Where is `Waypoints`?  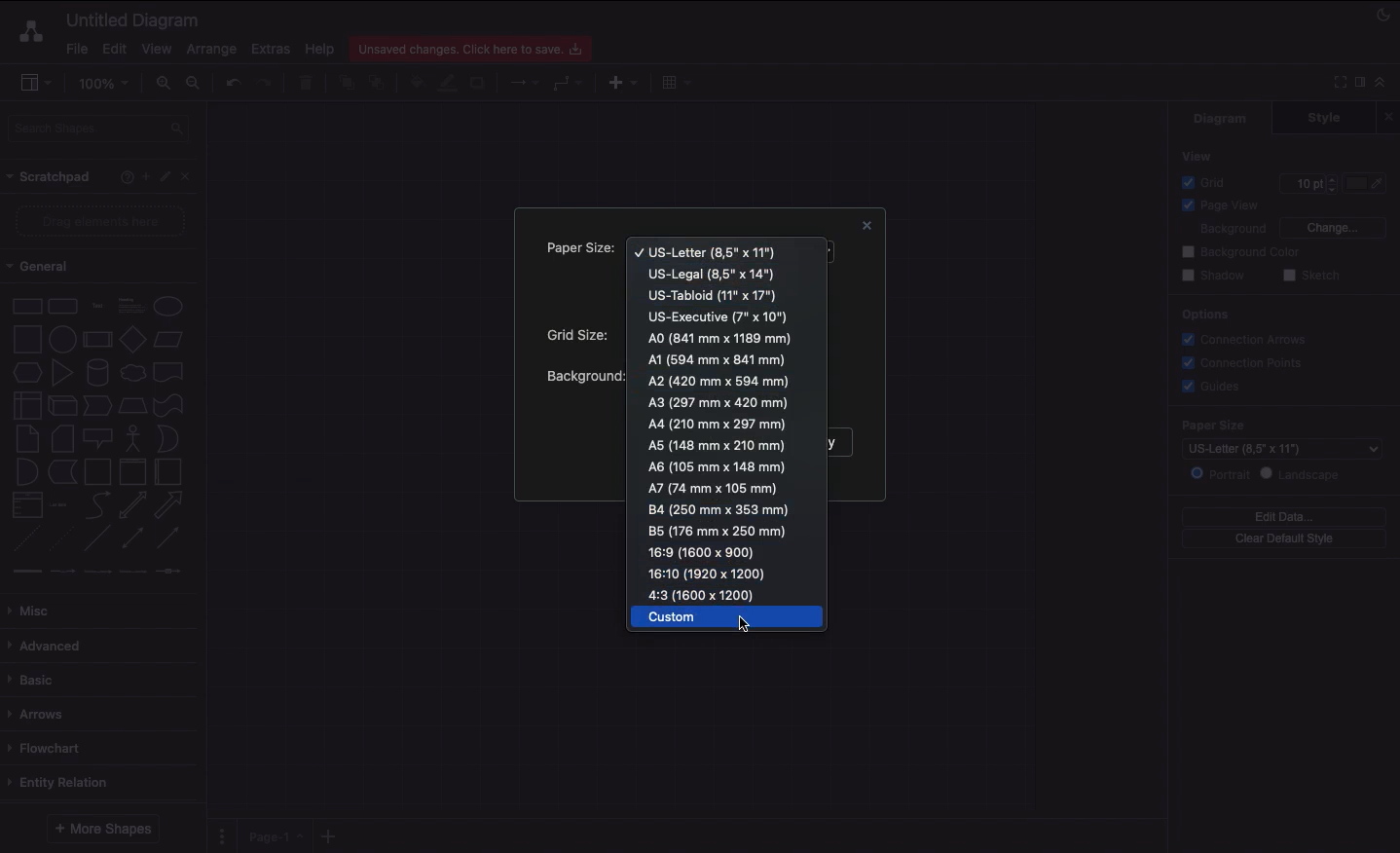
Waypoints is located at coordinates (569, 85).